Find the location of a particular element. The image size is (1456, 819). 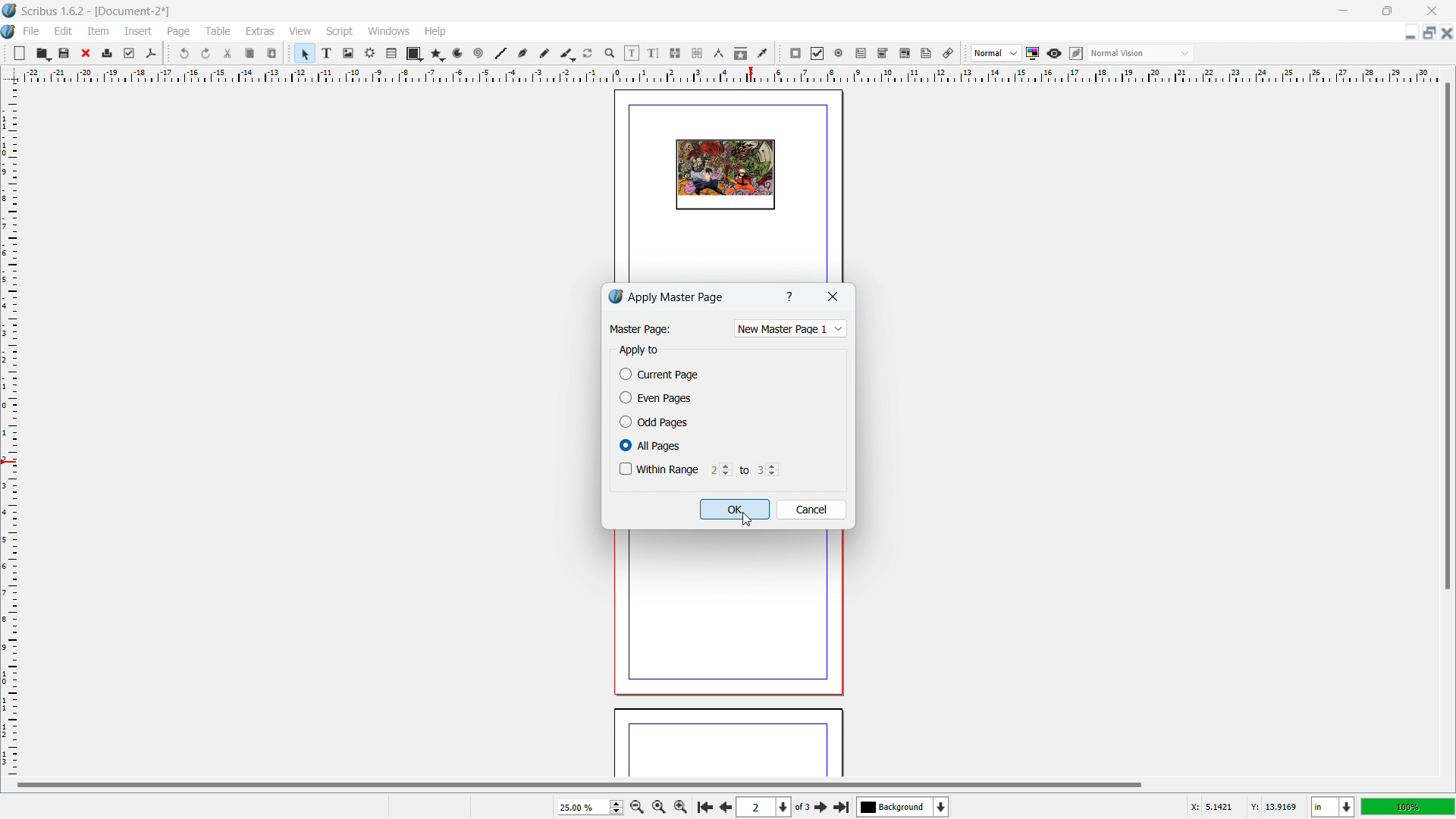

preview mode is located at coordinates (1054, 54).